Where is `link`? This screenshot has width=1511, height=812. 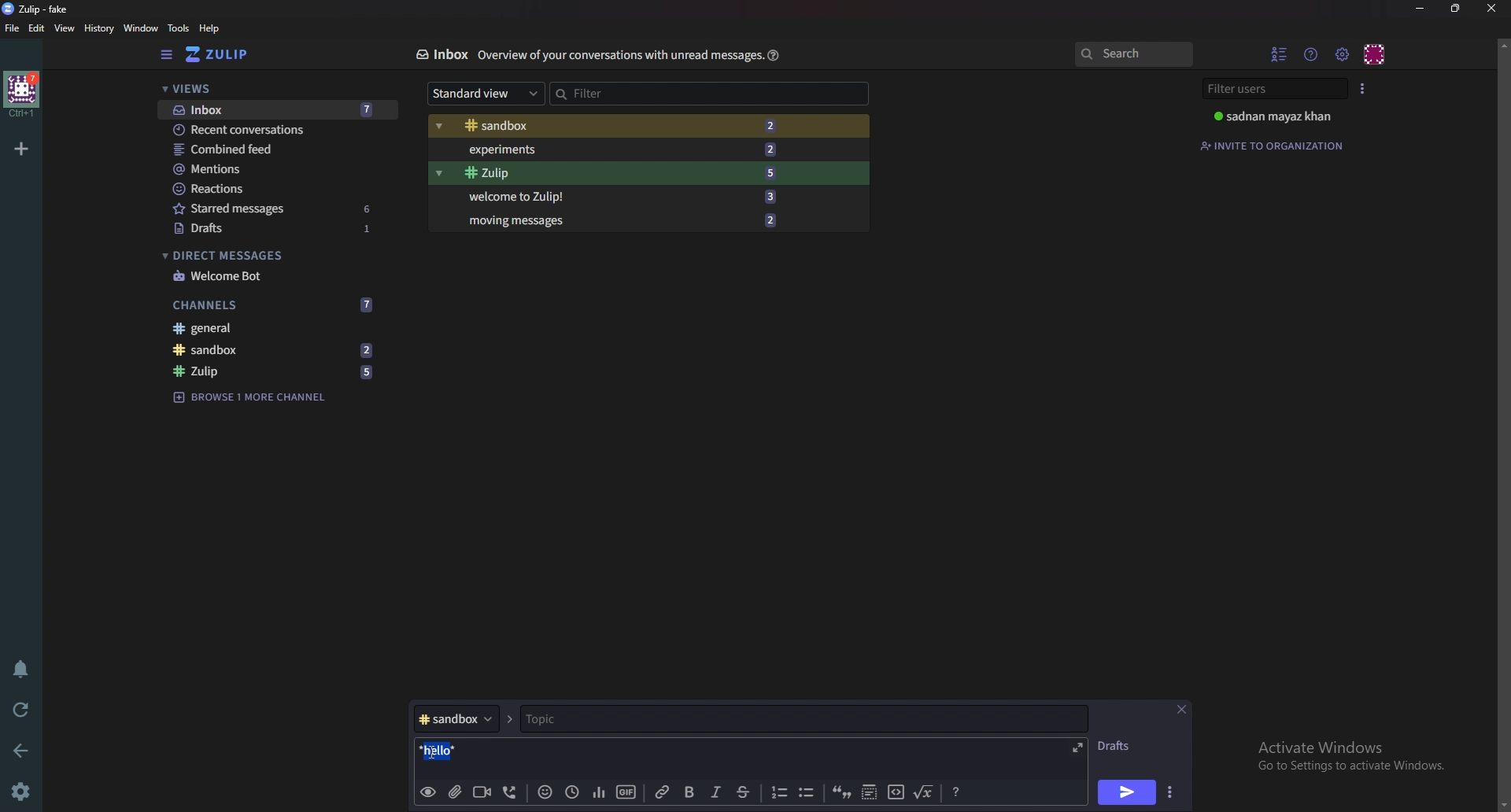
link is located at coordinates (663, 792).